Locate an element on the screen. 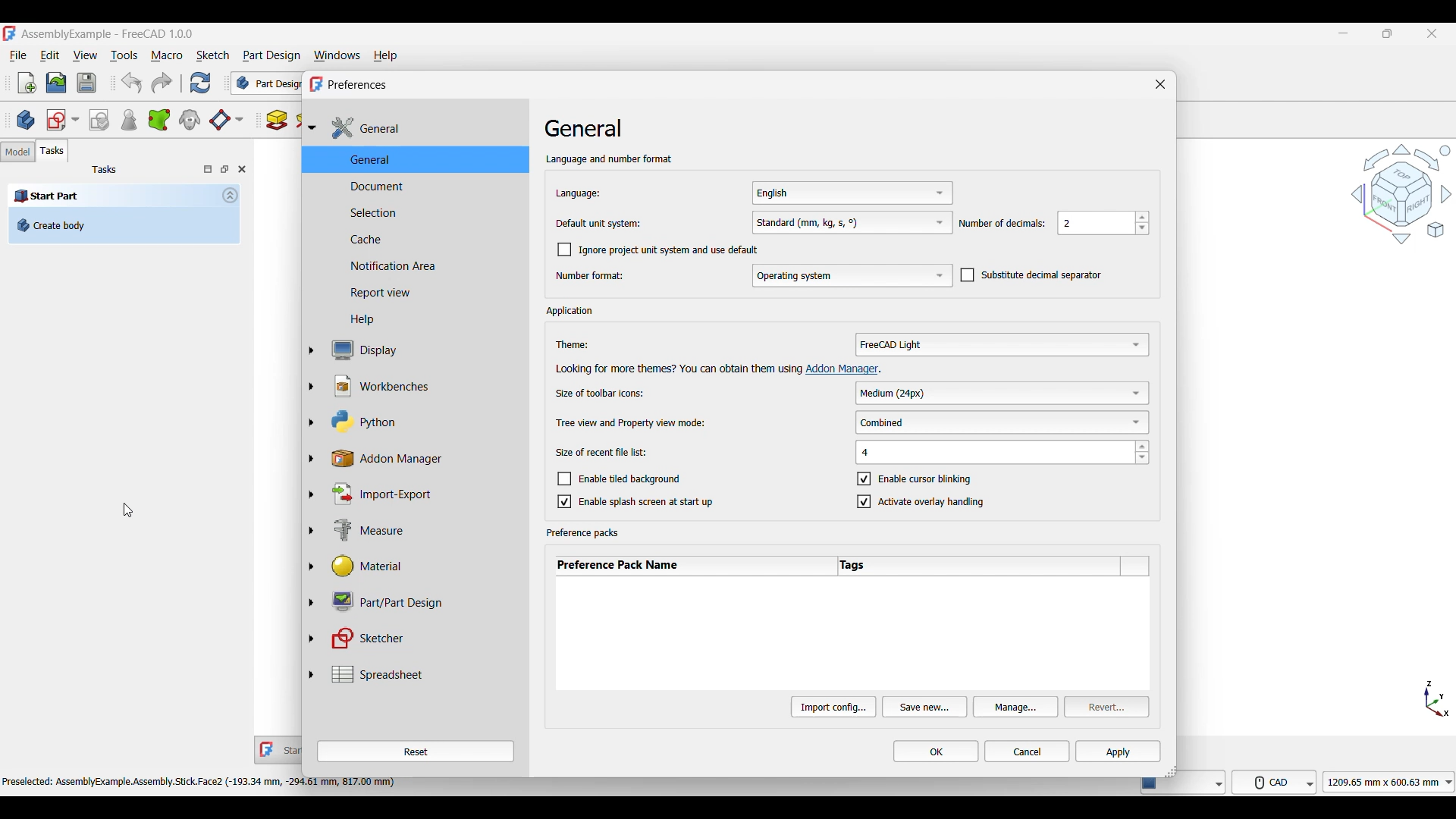 The height and width of the screenshot is (819, 1456). Axis navigation is located at coordinates (1437, 698).